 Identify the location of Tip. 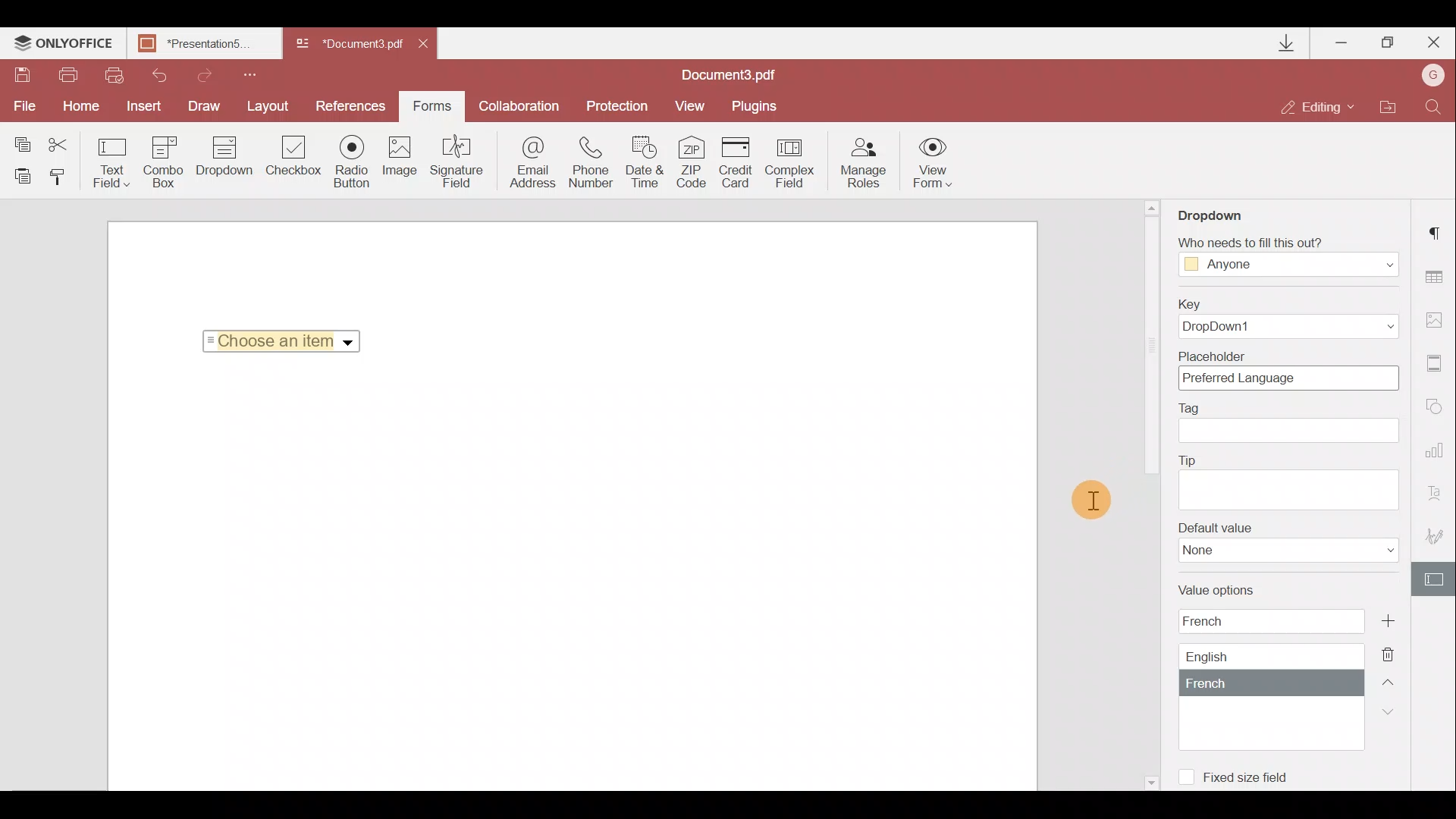
(1288, 480).